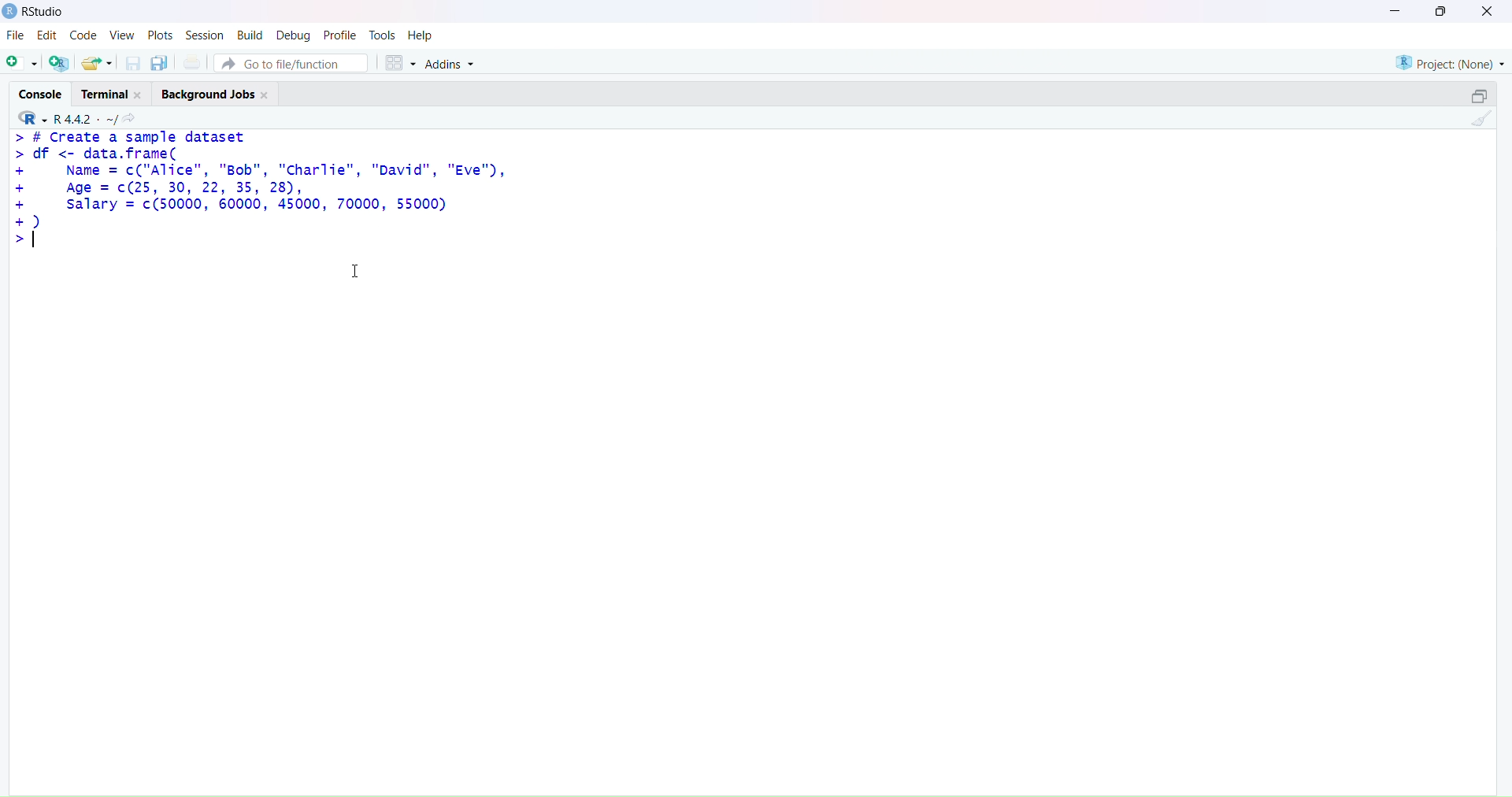  I want to click on minimize, so click(1388, 10).